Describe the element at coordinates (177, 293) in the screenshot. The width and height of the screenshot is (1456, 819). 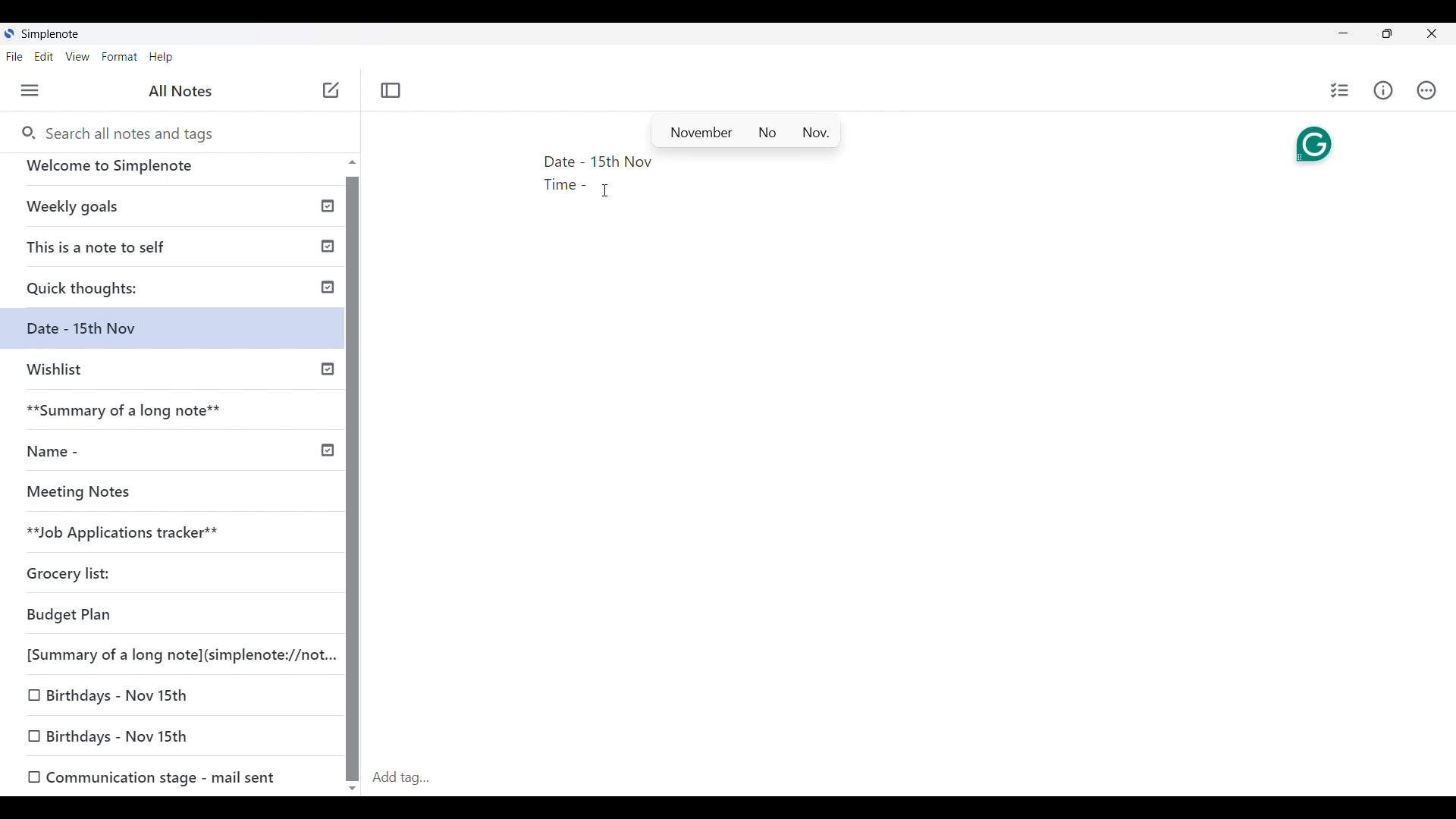
I see `Published note indicated by check icon` at that location.